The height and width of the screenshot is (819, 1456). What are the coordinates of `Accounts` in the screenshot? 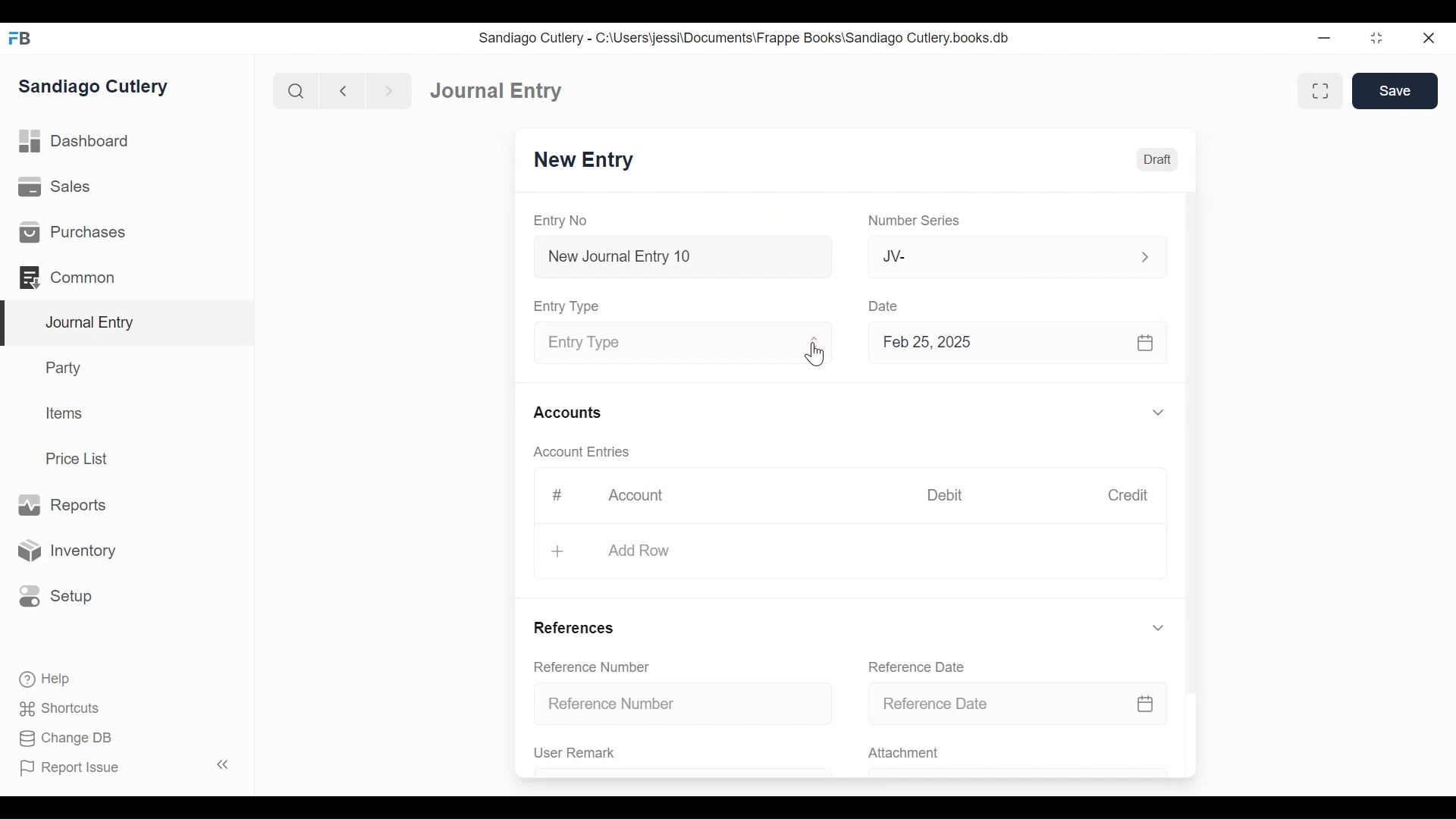 It's located at (570, 413).